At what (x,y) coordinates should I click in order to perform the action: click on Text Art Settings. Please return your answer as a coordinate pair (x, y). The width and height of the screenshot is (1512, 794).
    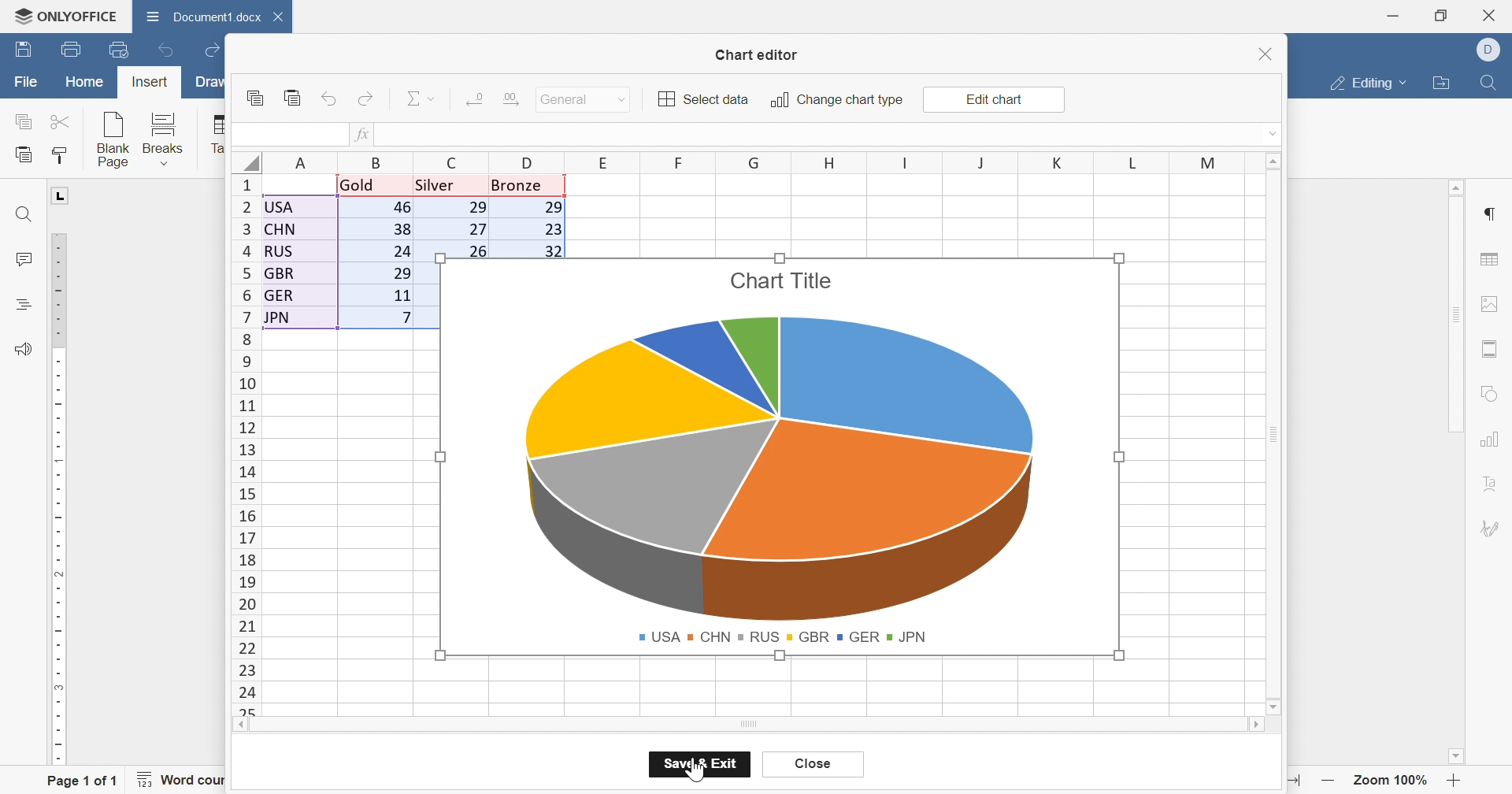
    Looking at the image, I should click on (1496, 483).